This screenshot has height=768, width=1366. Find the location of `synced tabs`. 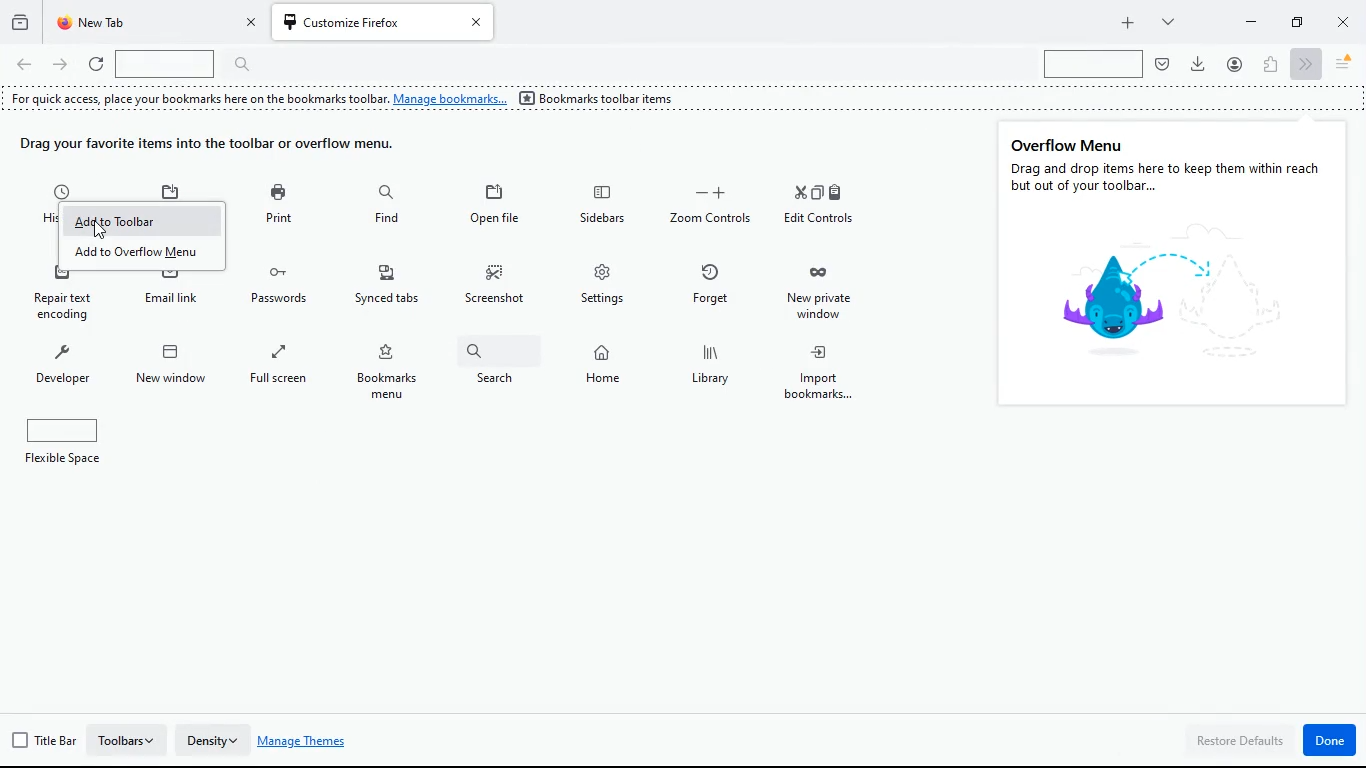

synced tabs is located at coordinates (391, 289).